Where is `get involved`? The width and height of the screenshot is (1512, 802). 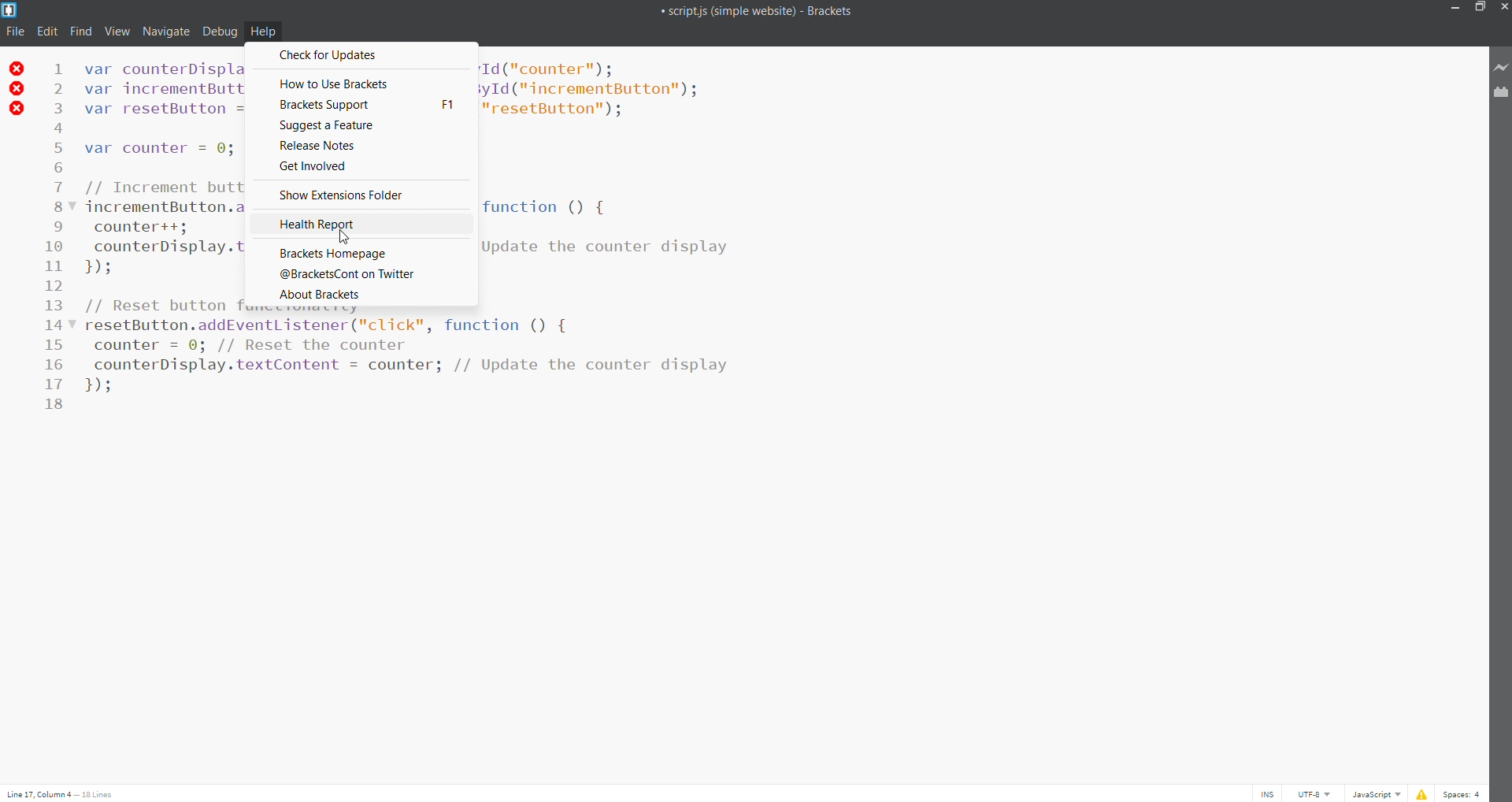 get involved is located at coordinates (361, 168).